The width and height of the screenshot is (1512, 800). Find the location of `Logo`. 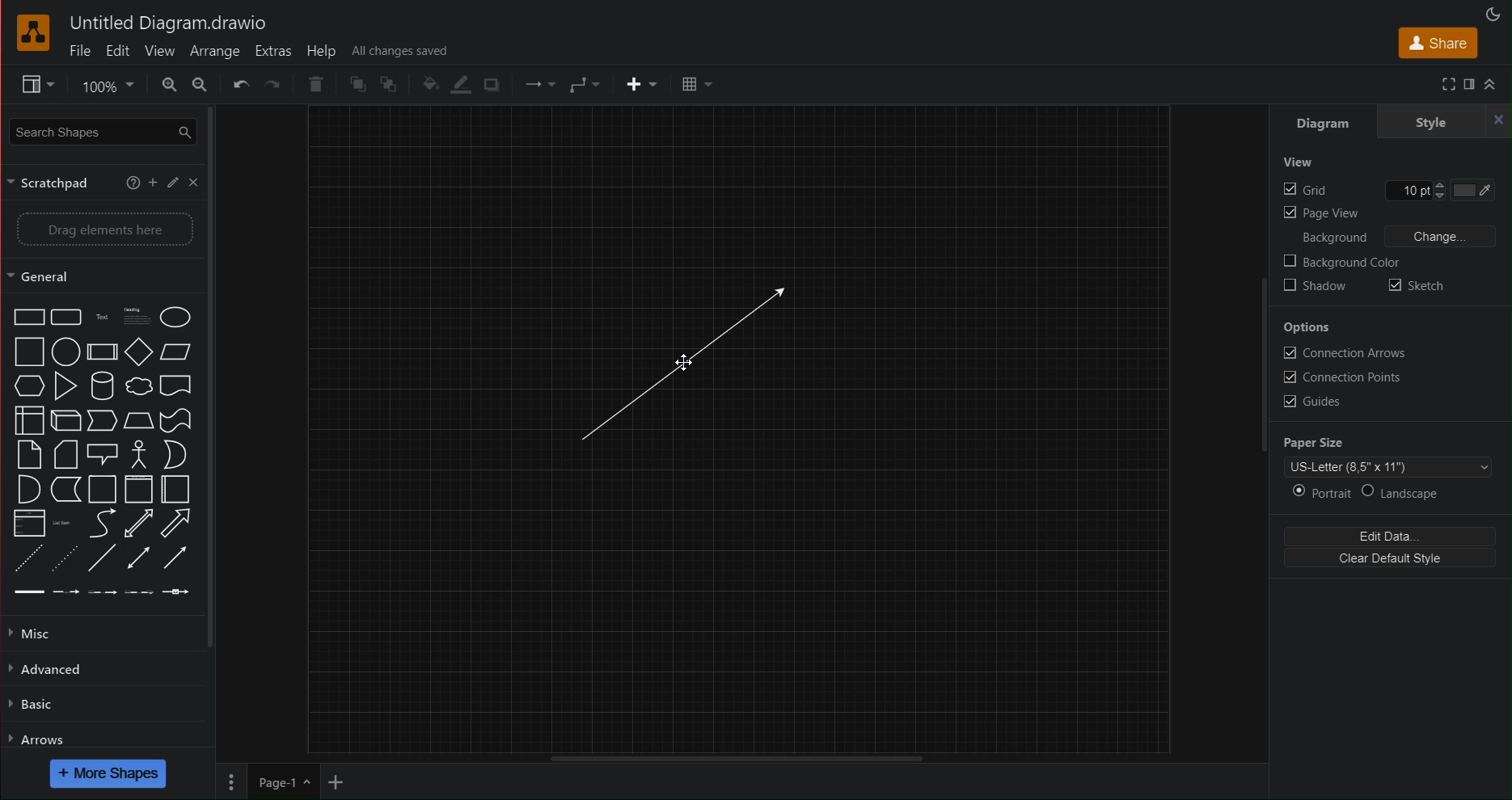

Logo is located at coordinates (35, 34).